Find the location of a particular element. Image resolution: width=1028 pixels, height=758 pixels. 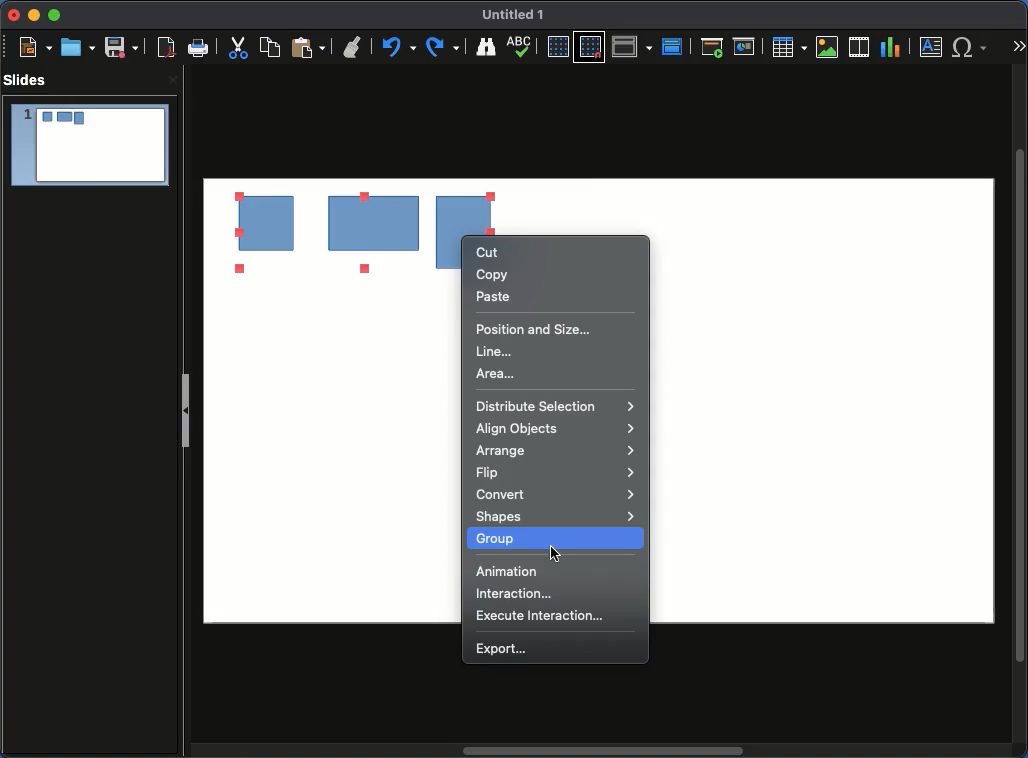

cursor is located at coordinates (557, 552).